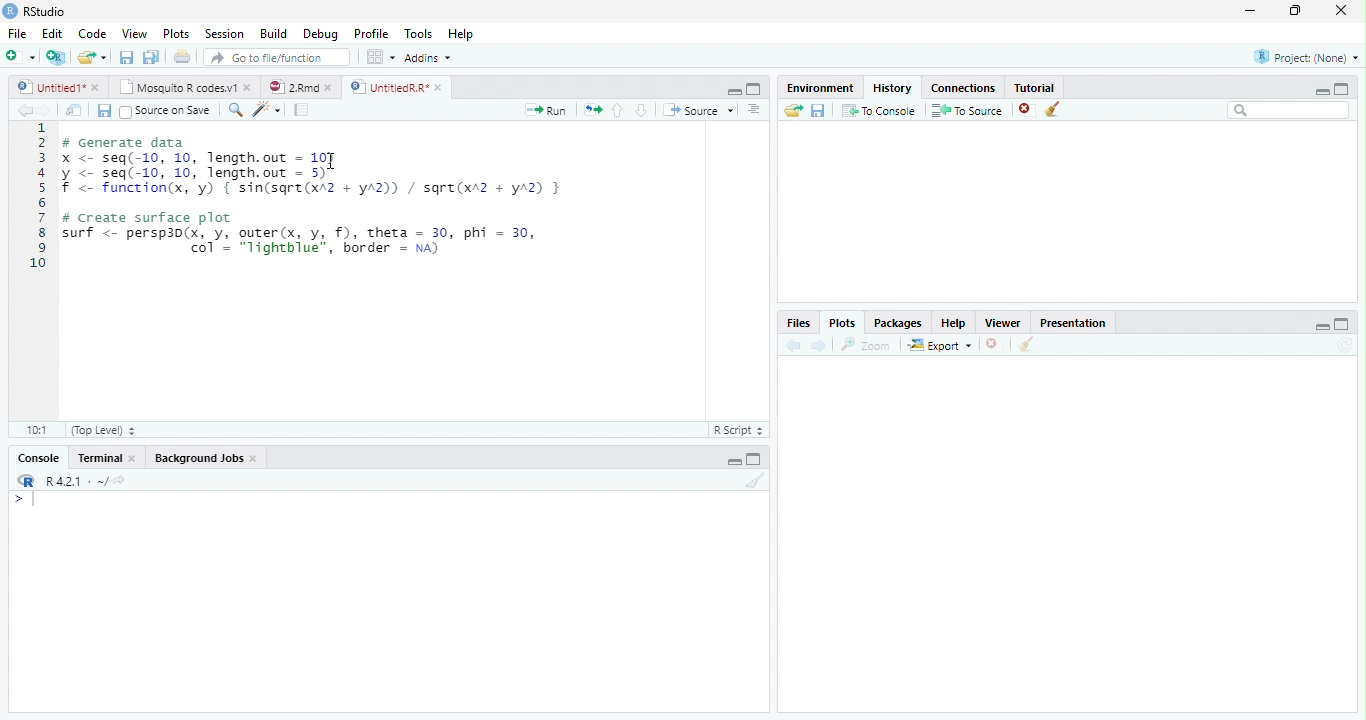  I want to click on R Script, so click(741, 430).